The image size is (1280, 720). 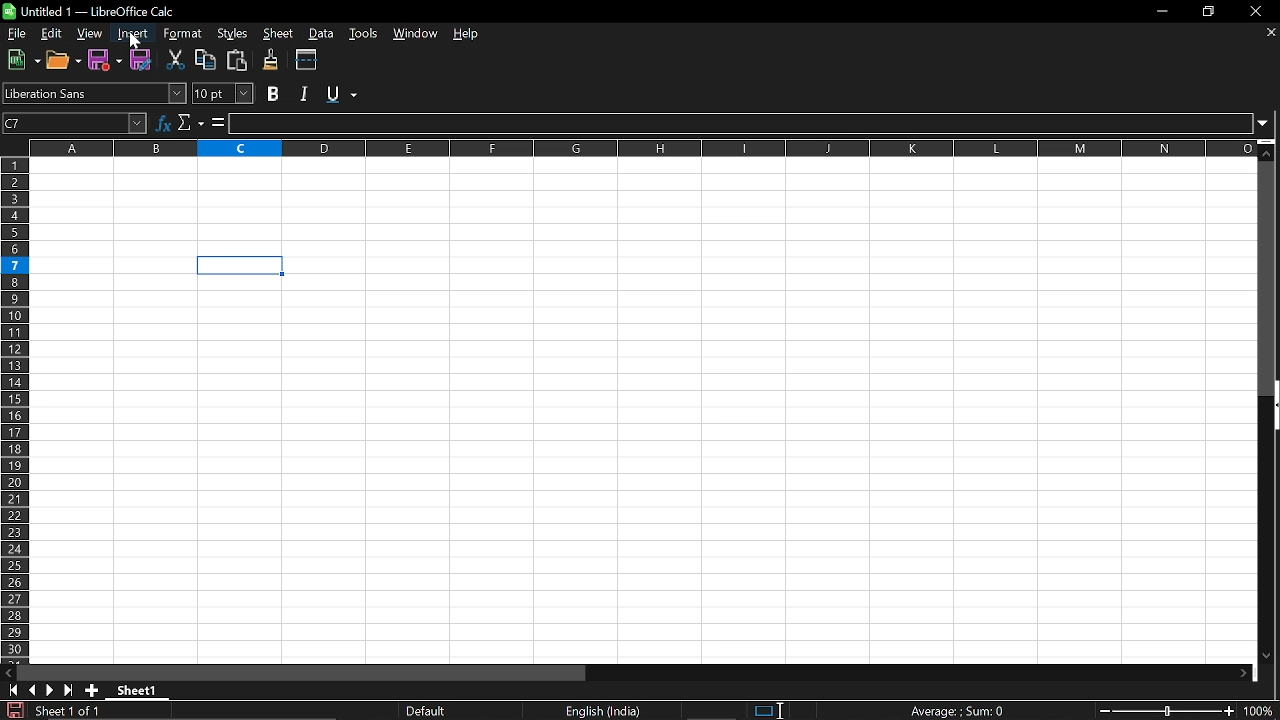 What do you see at coordinates (13, 710) in the screenshot?
I see `Save` at bounding box center [13, 710].